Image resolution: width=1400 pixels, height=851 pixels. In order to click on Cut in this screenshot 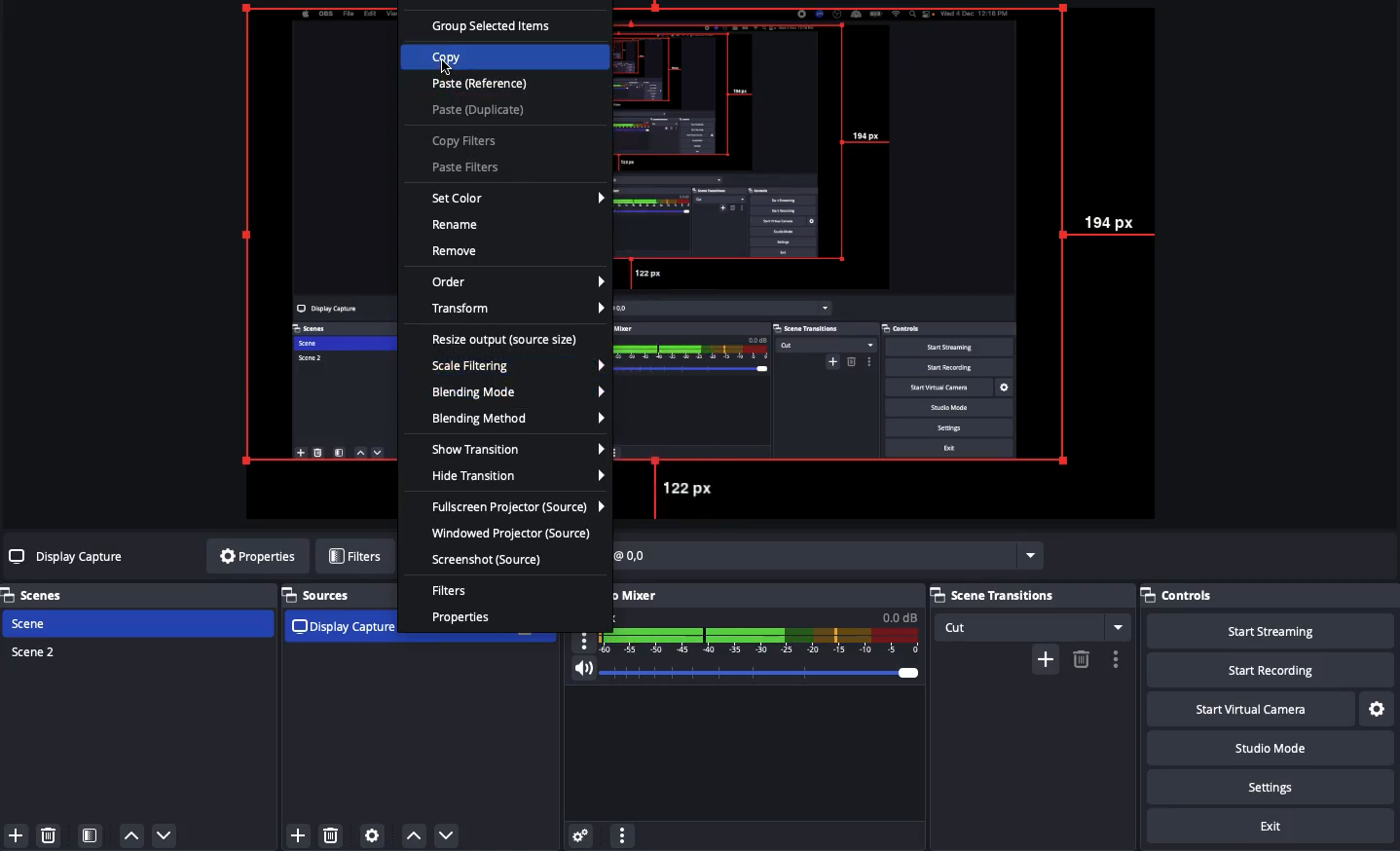, I will do `click(1034, 627)`.